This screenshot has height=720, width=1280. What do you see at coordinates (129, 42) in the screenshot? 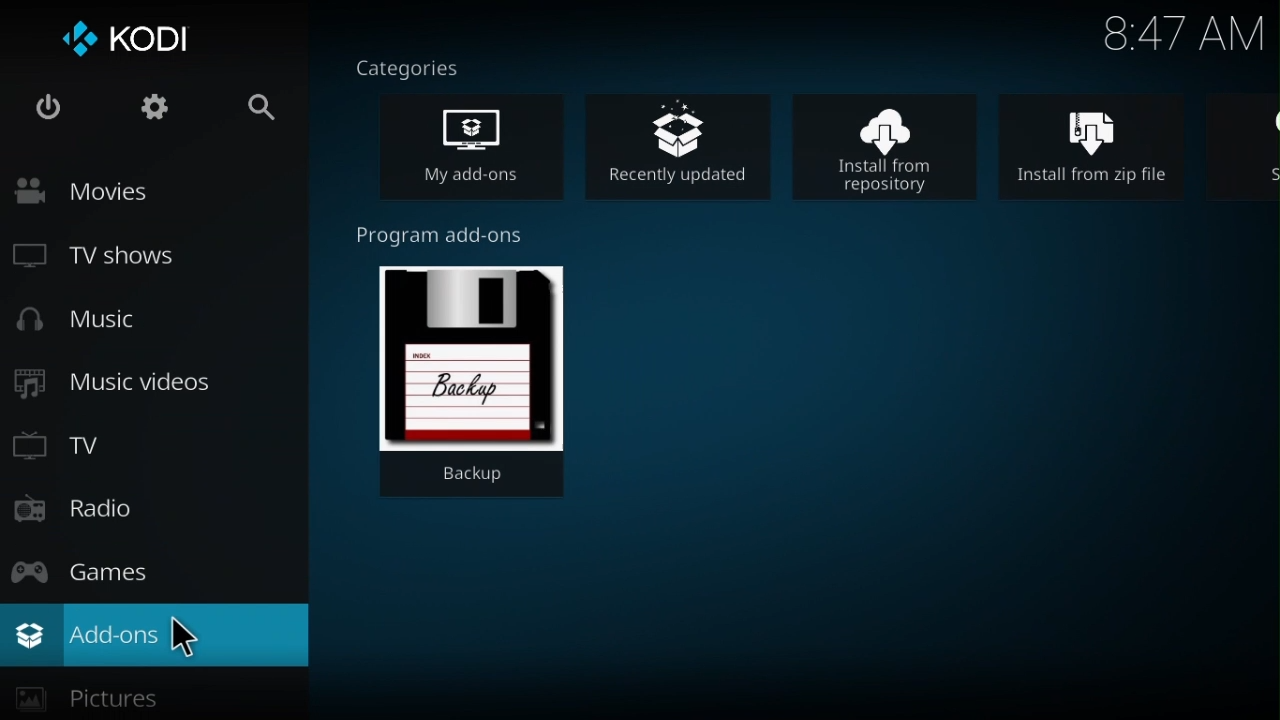
I see `Kodi logo` at bounding box center [129, 42].